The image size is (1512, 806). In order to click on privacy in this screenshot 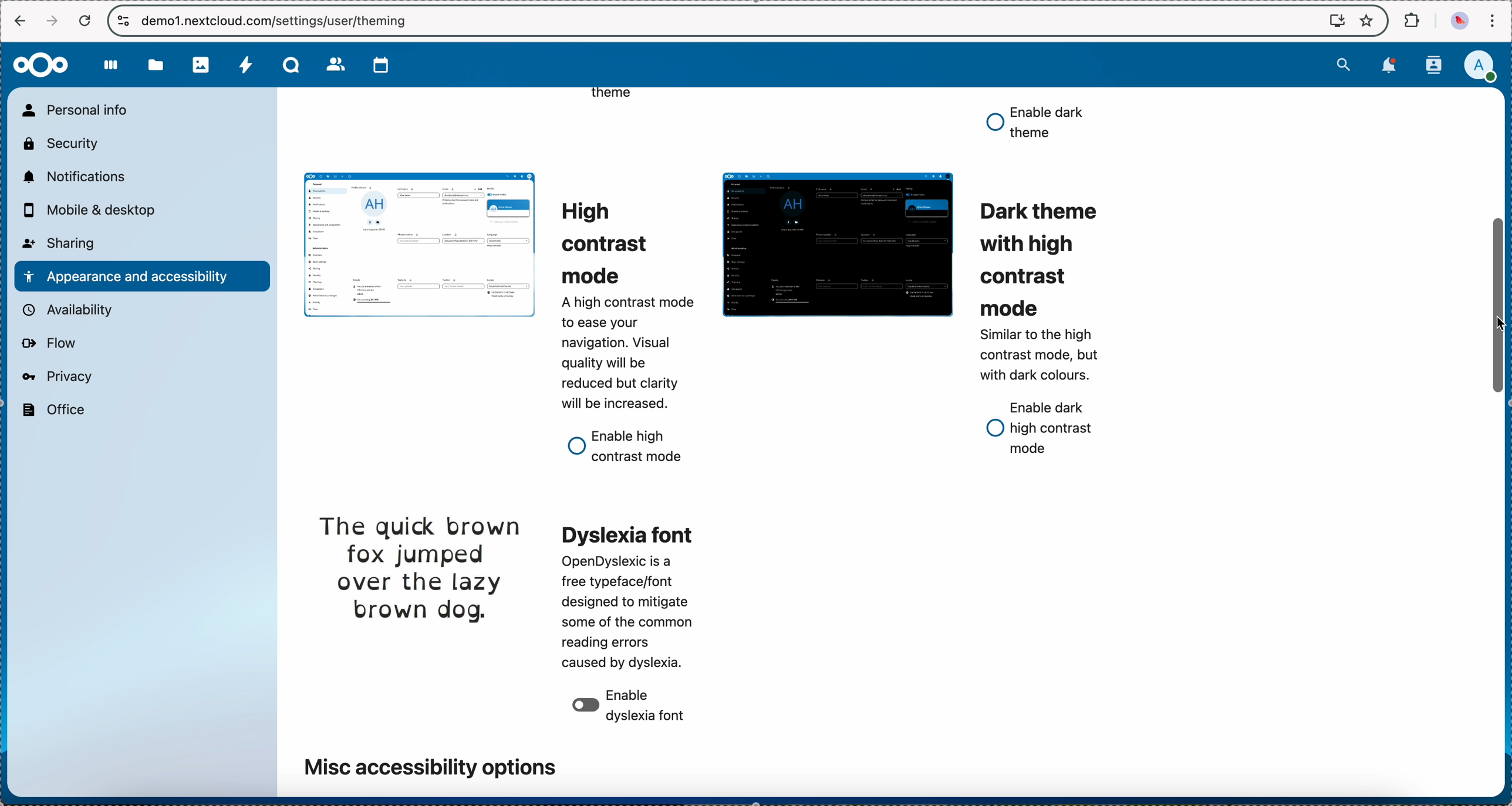, I will do `click(59, 377)`.